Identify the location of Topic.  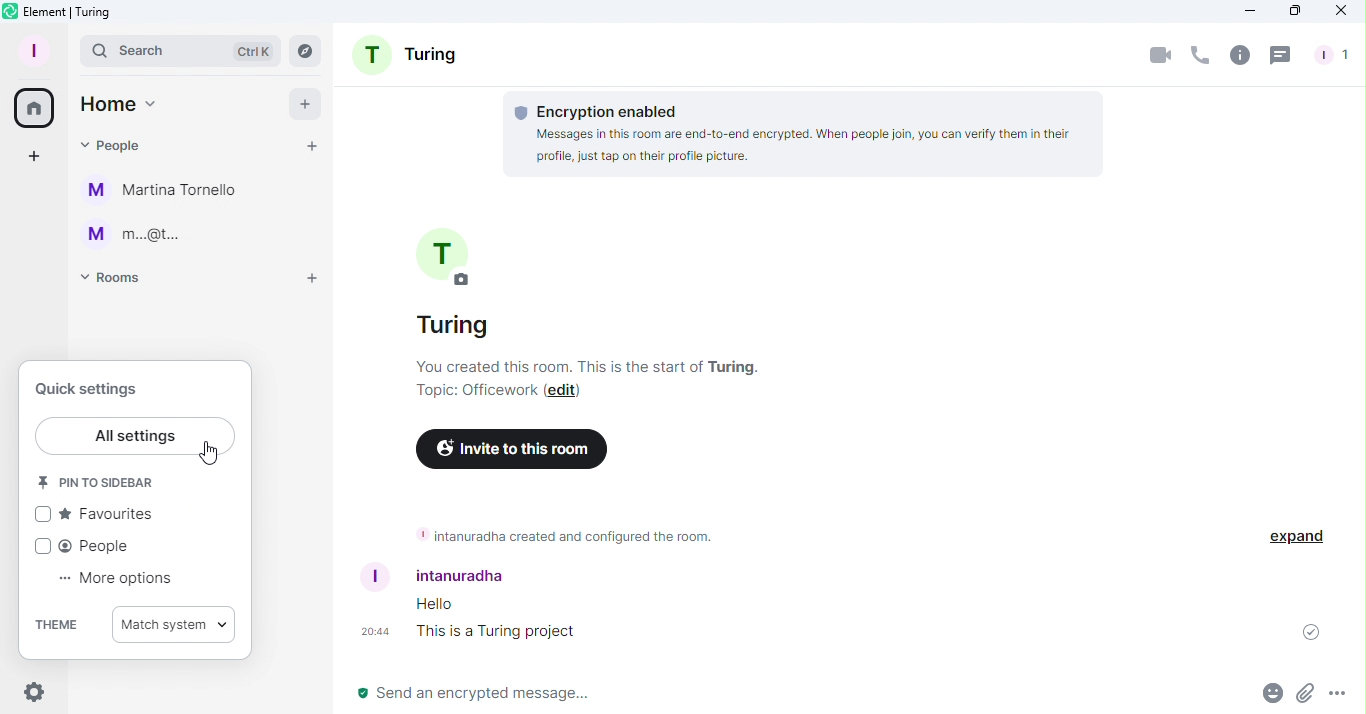
(460, 392).